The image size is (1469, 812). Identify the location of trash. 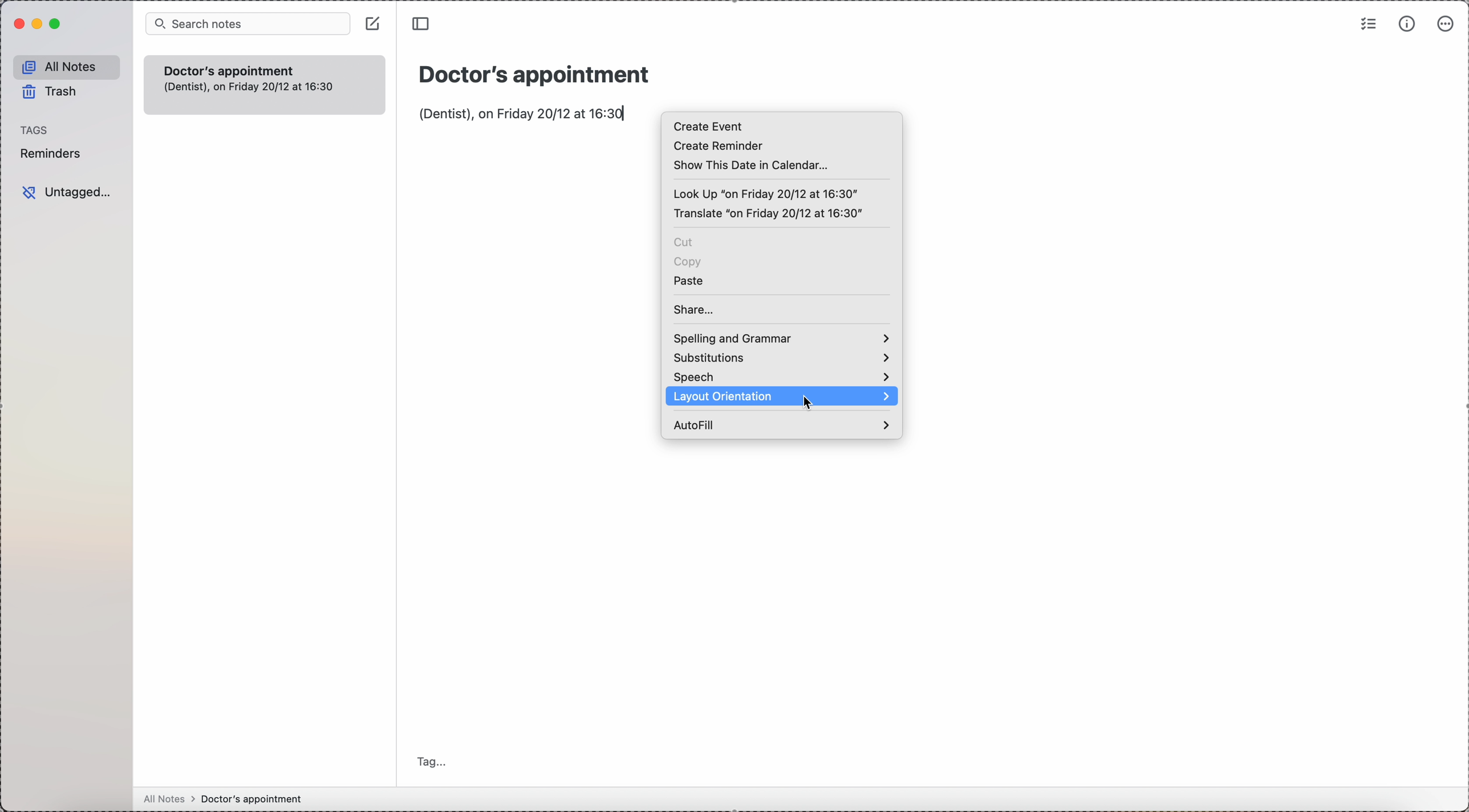
(48, 92).